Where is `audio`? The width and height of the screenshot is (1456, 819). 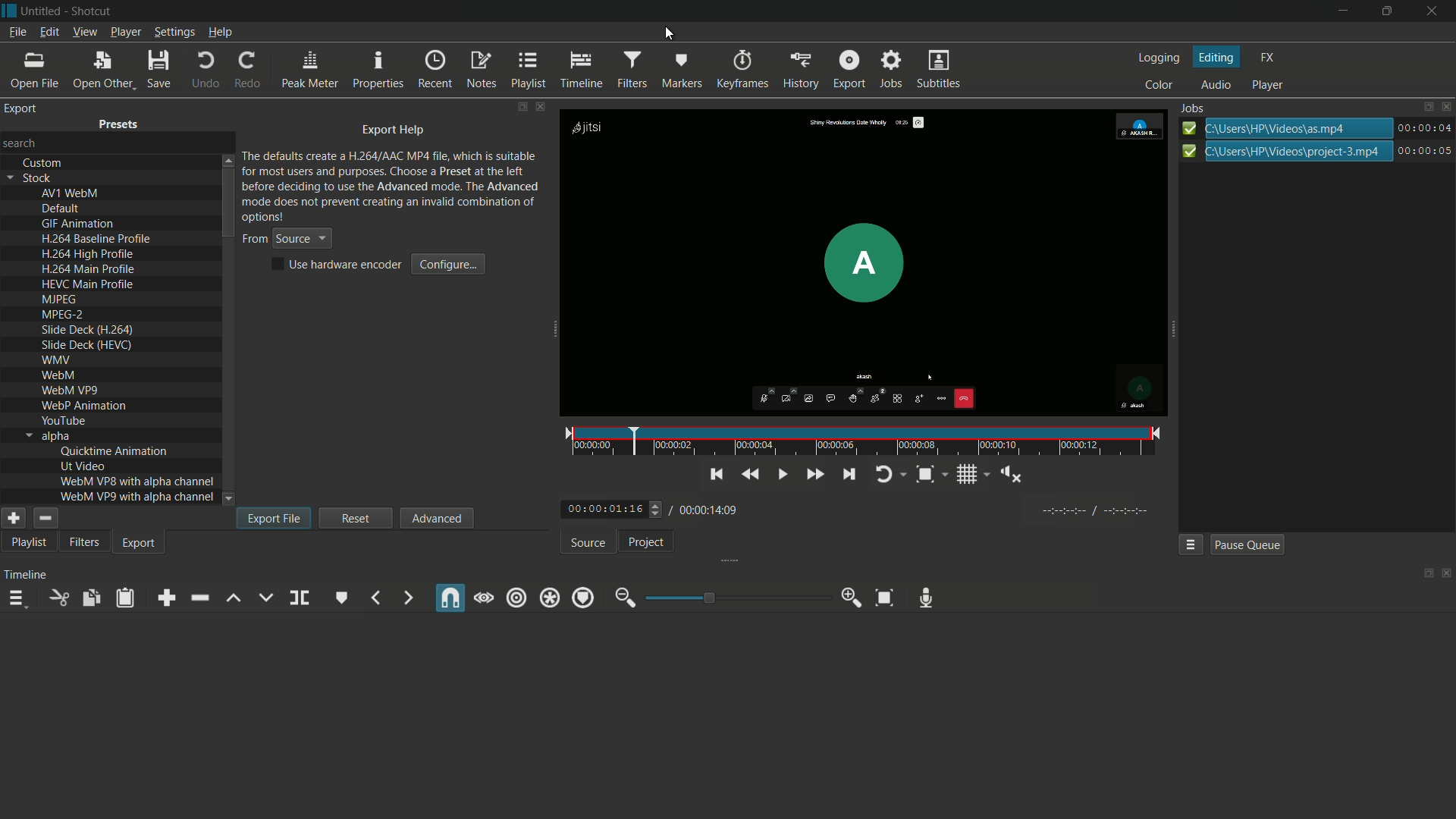
audio is located at coordinates (1216, 86).